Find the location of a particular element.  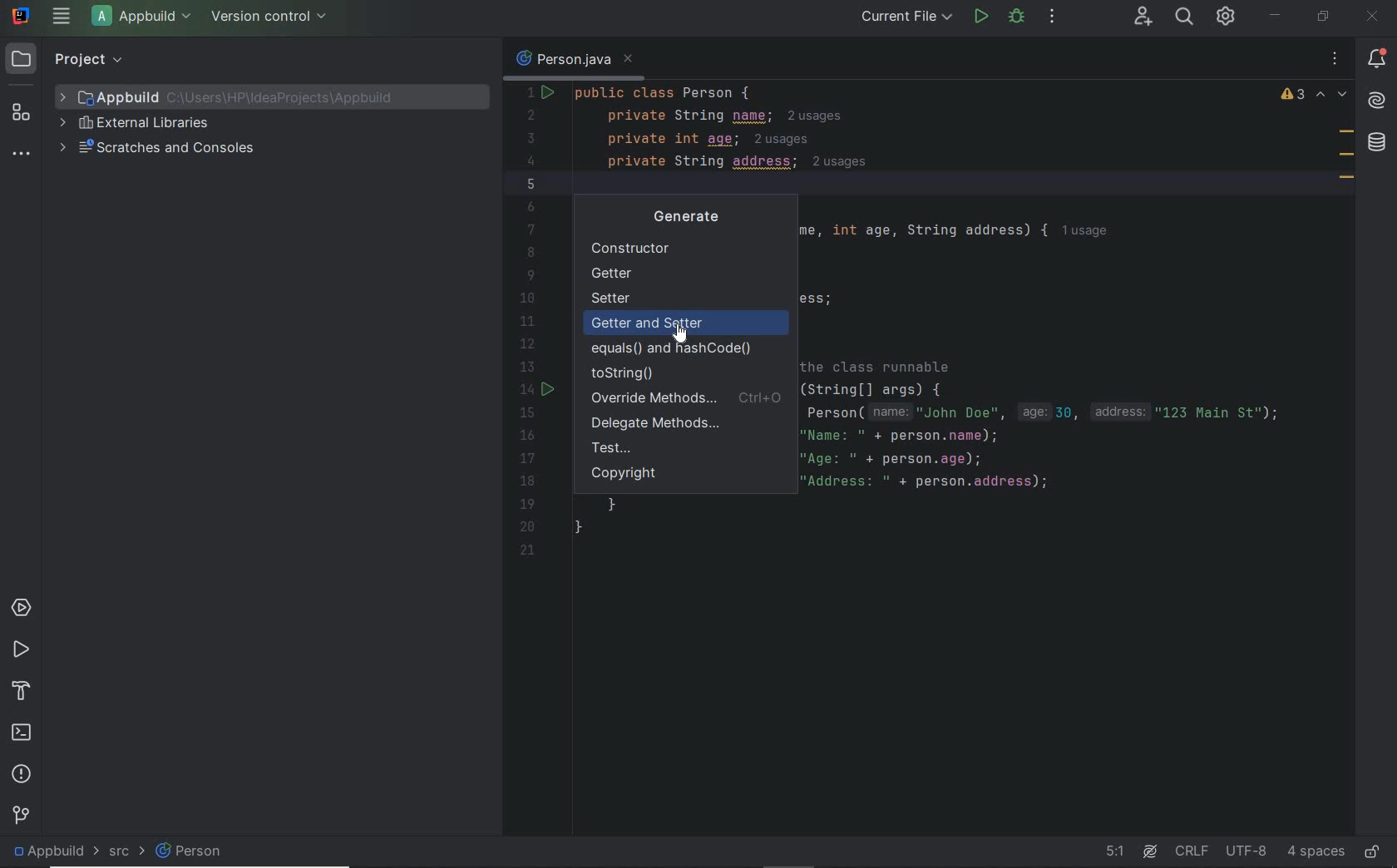

project file name is located at coordinates (145, 18).